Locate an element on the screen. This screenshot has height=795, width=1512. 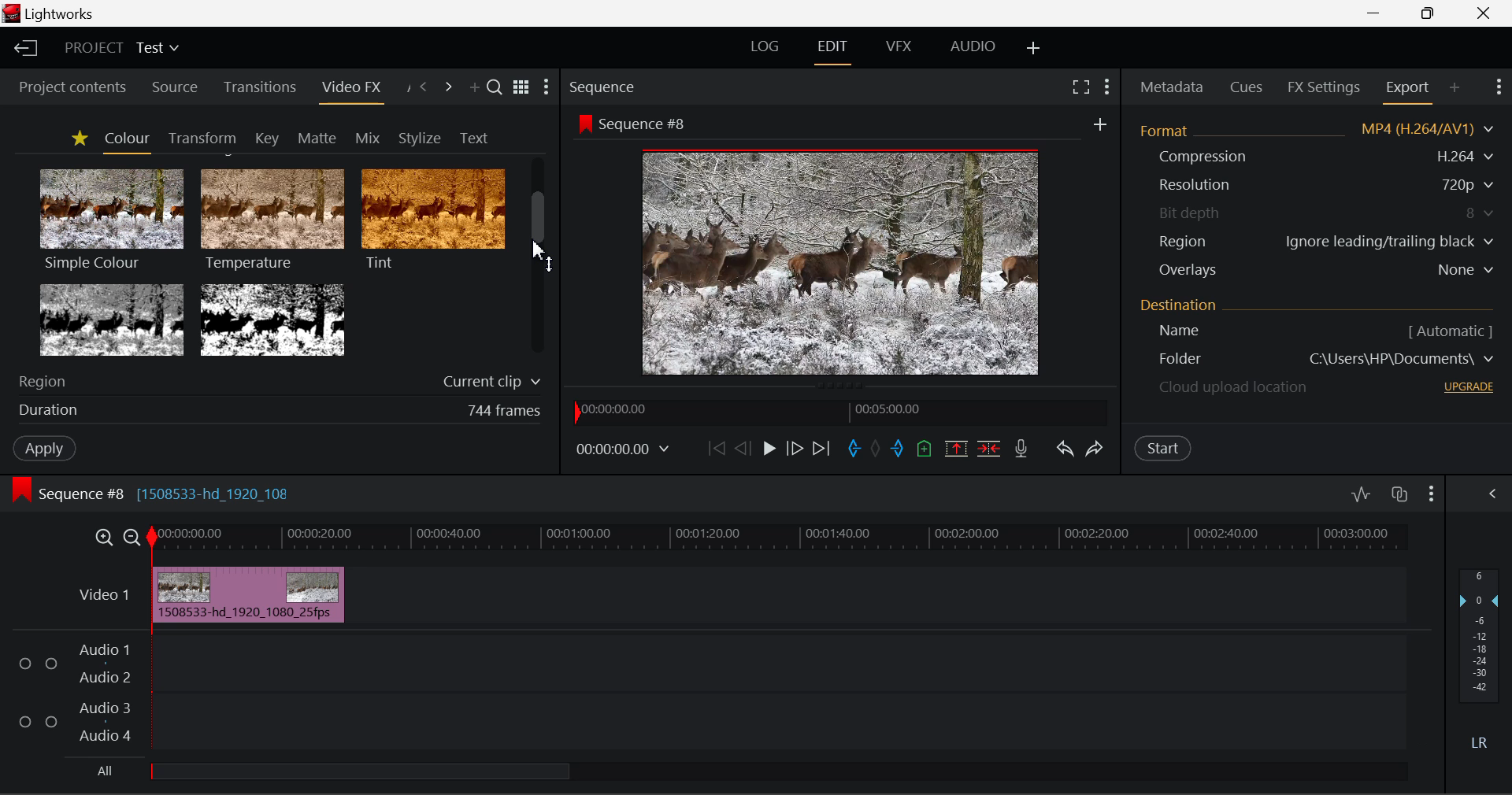
Name [ Automatic ] is located at coordinates (1173, 331).